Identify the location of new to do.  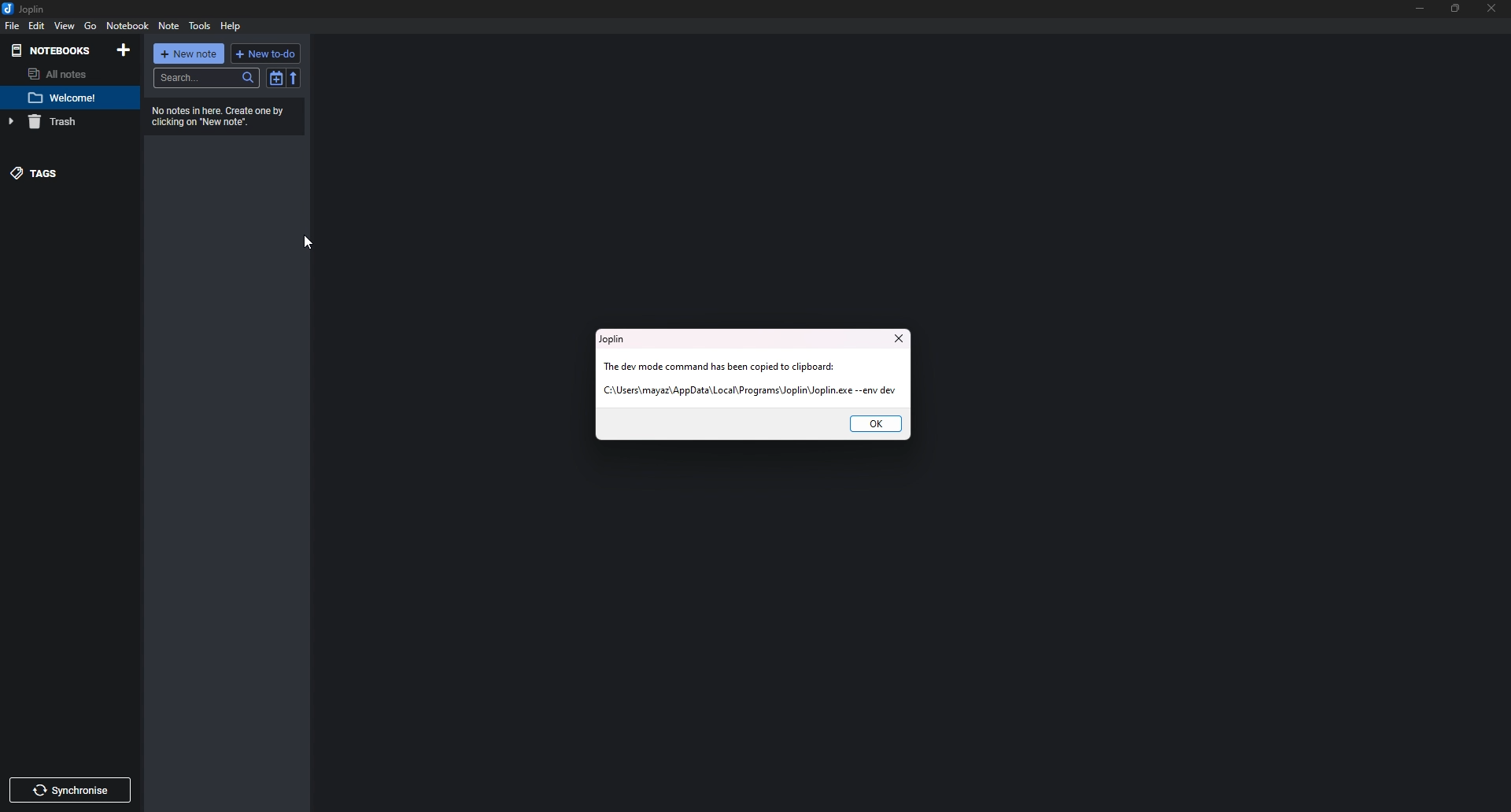
(266, 53).